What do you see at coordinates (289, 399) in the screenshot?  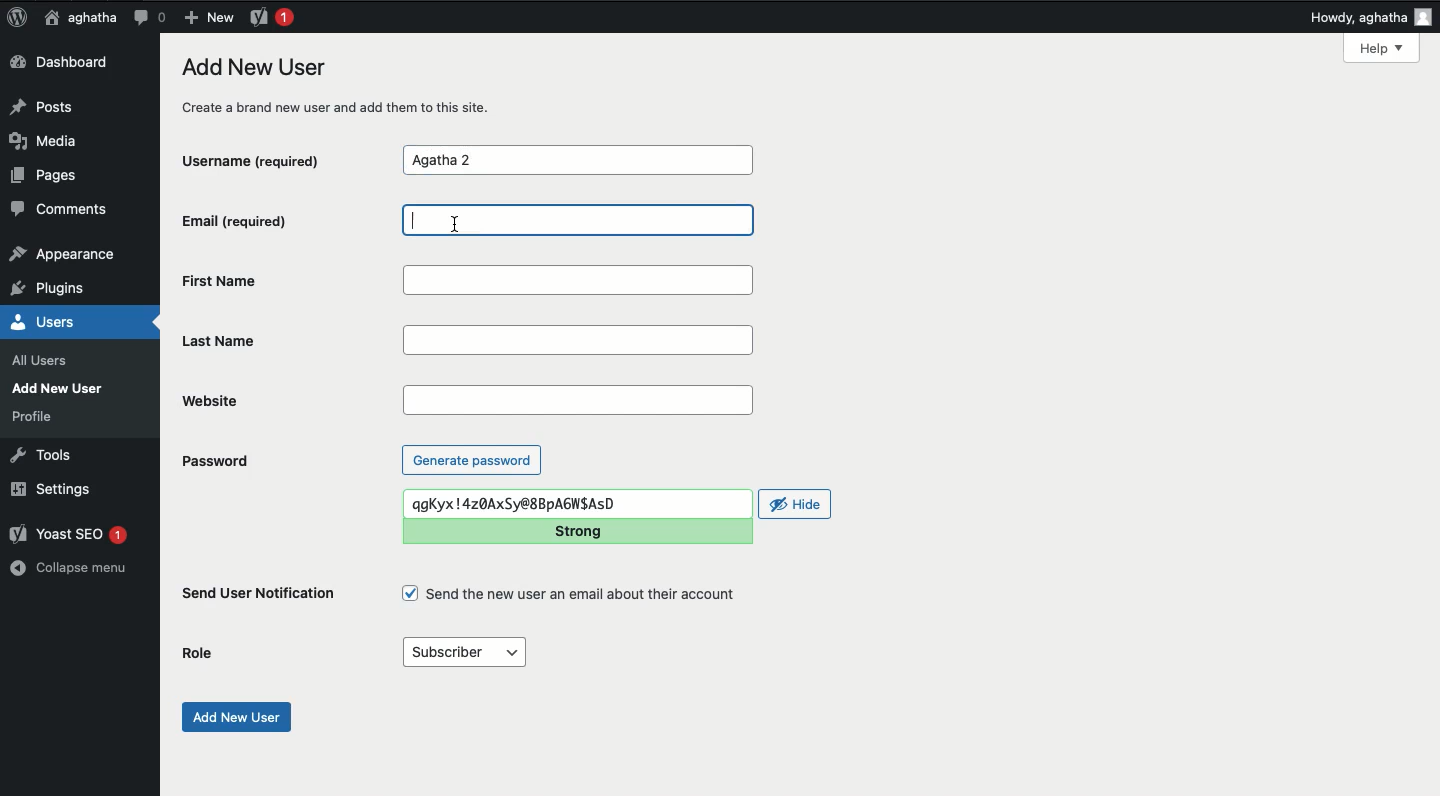 I see `Website` at bounding box center [289, 399].